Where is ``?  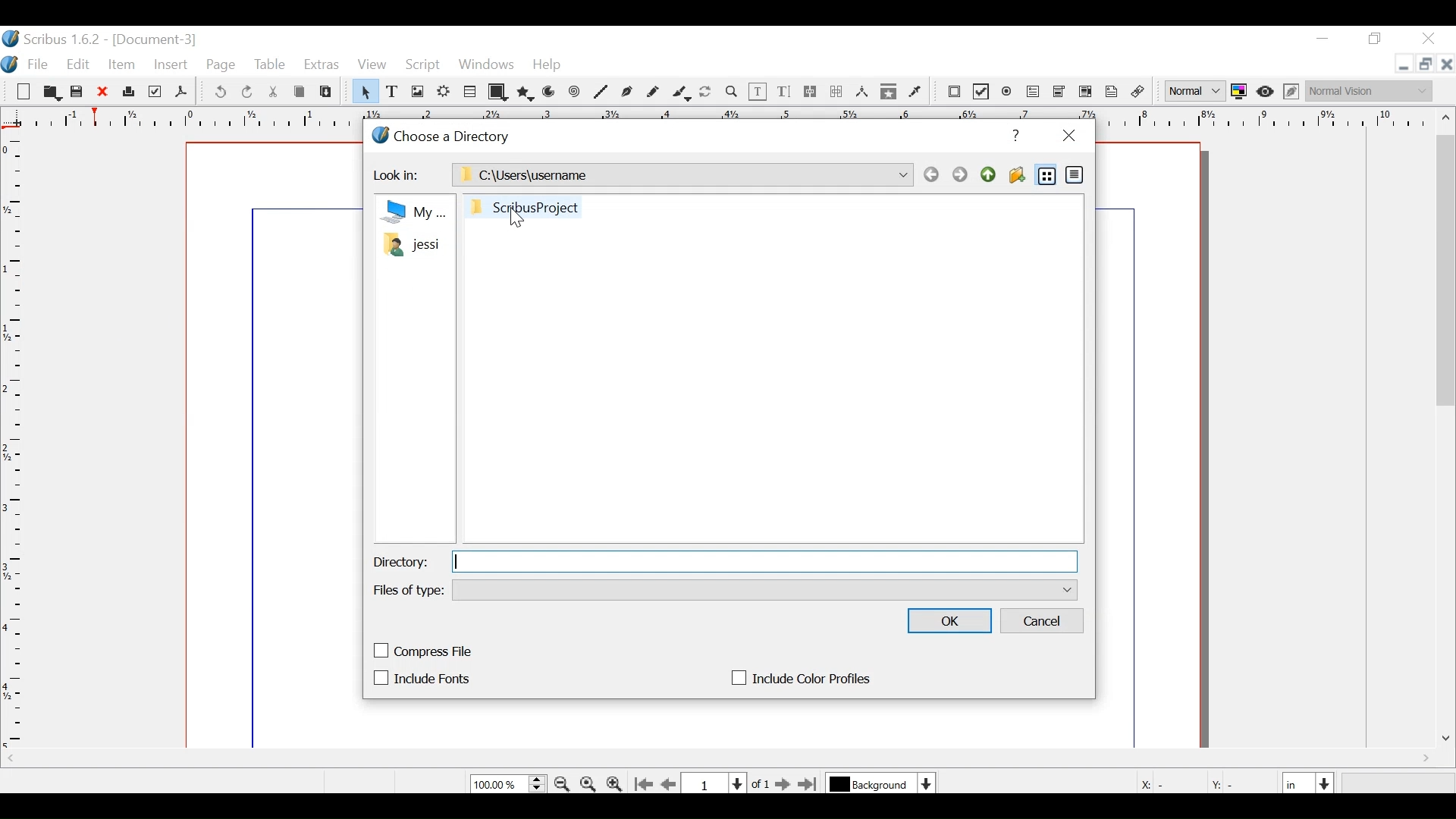
 is located at coordinates (926, 782).